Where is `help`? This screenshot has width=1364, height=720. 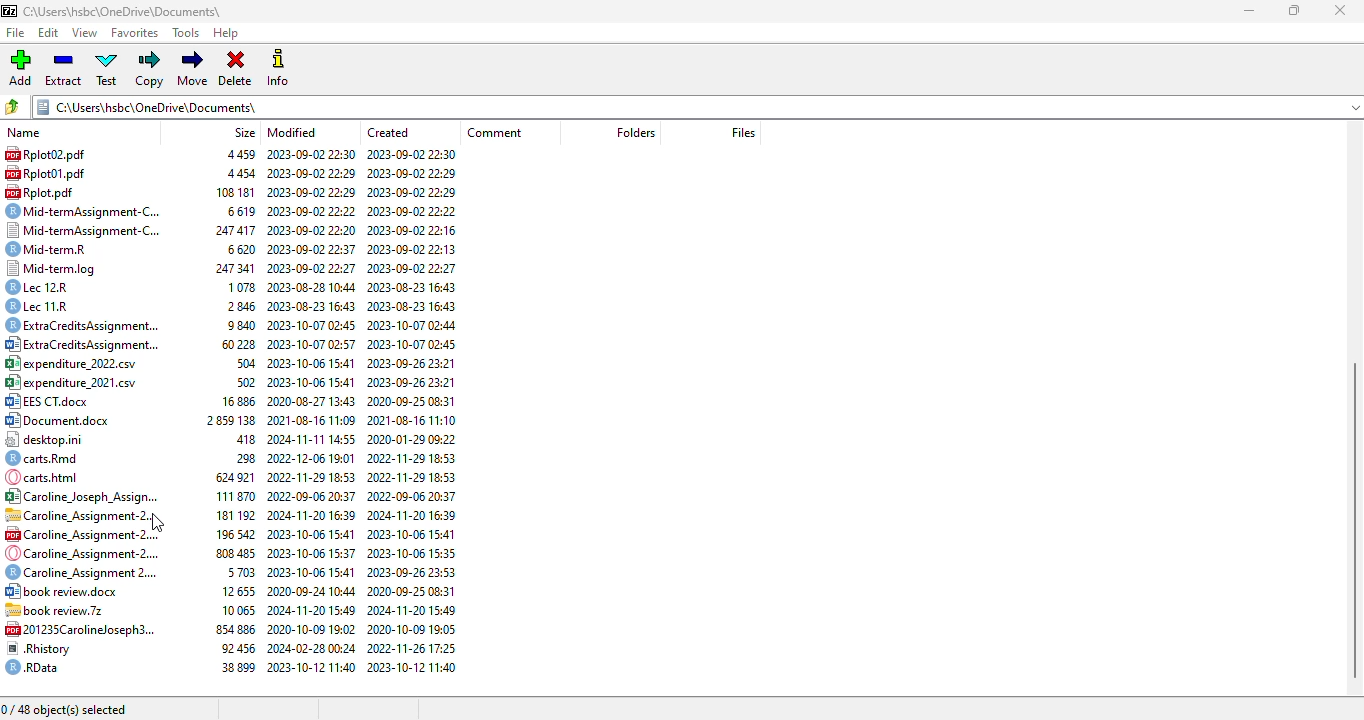 help is located at coordinates (225, 33).